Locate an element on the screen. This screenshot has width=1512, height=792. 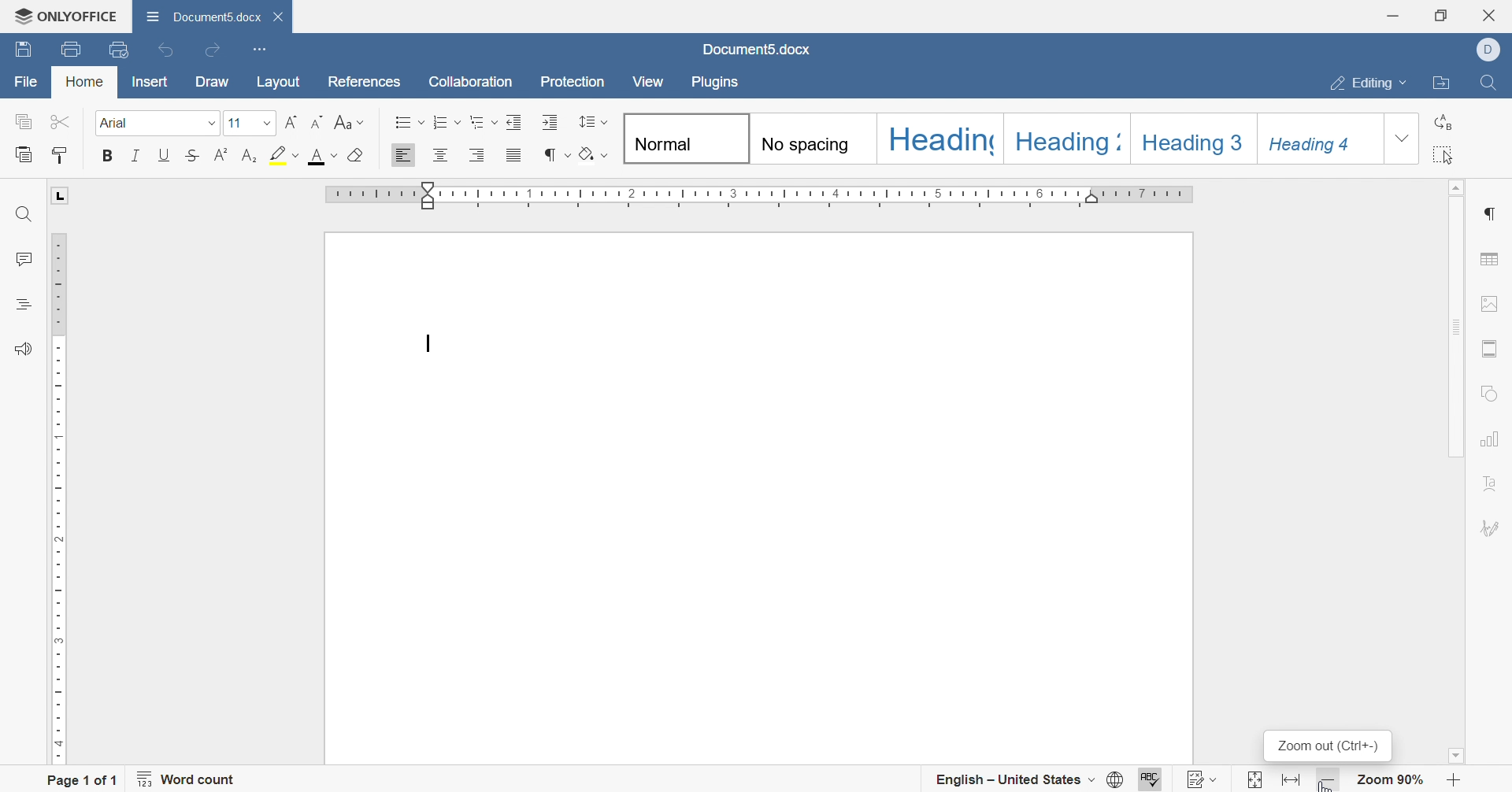
Heading 3 is located at coordinates (1191, 138).